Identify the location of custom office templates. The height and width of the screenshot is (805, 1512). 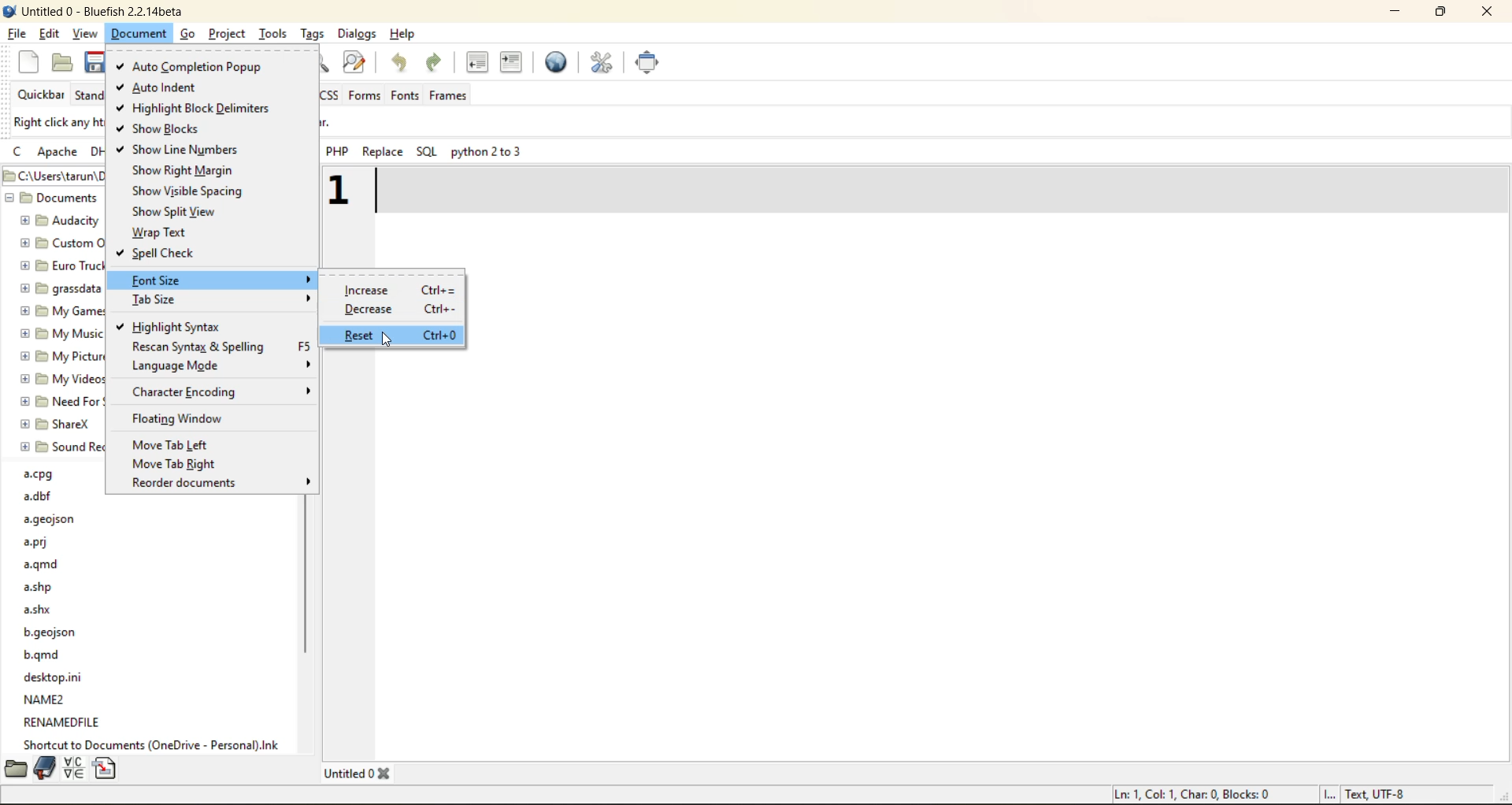
(61, 243).